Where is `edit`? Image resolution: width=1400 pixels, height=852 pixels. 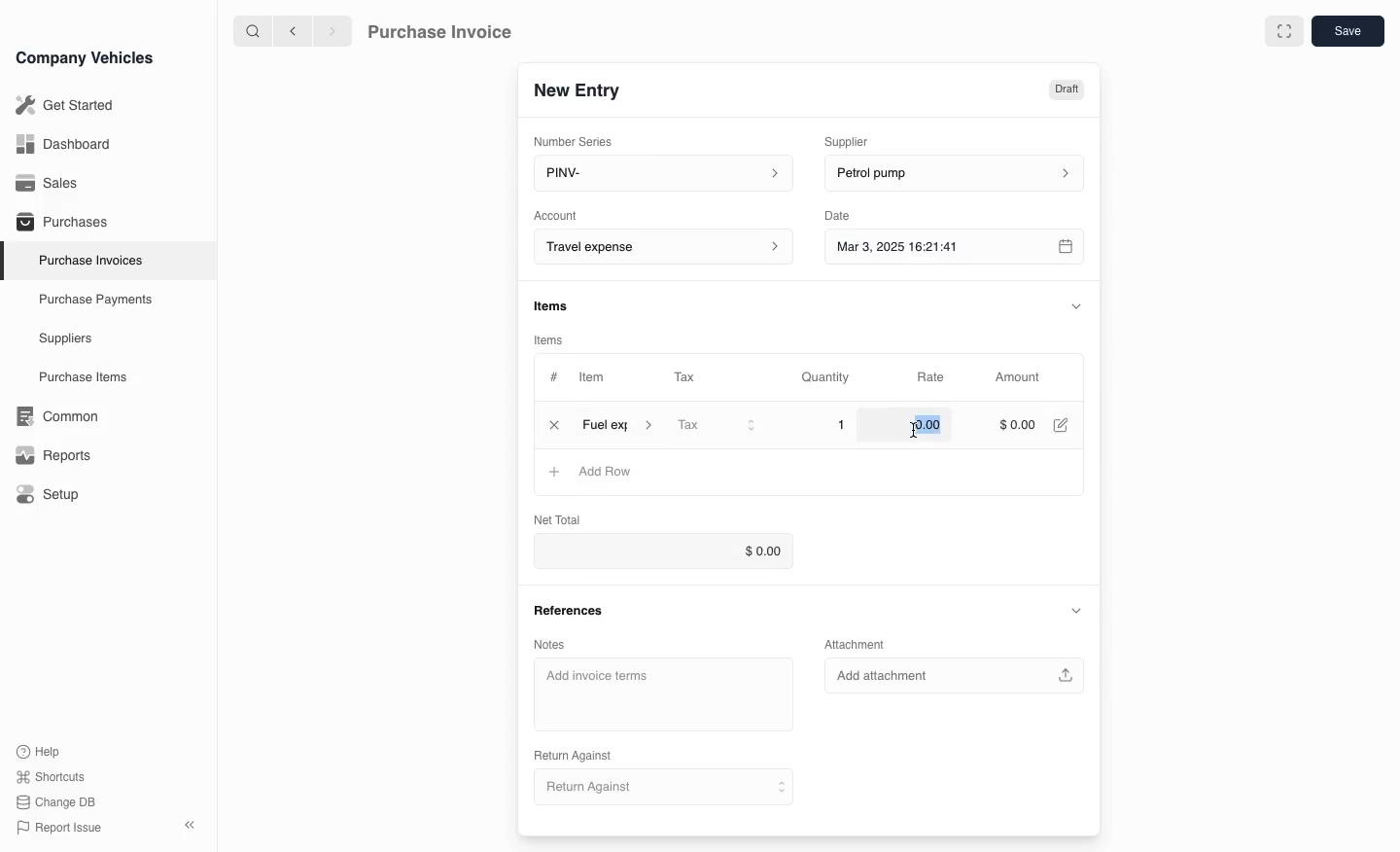 edit is located at coordinates (1063, 426).